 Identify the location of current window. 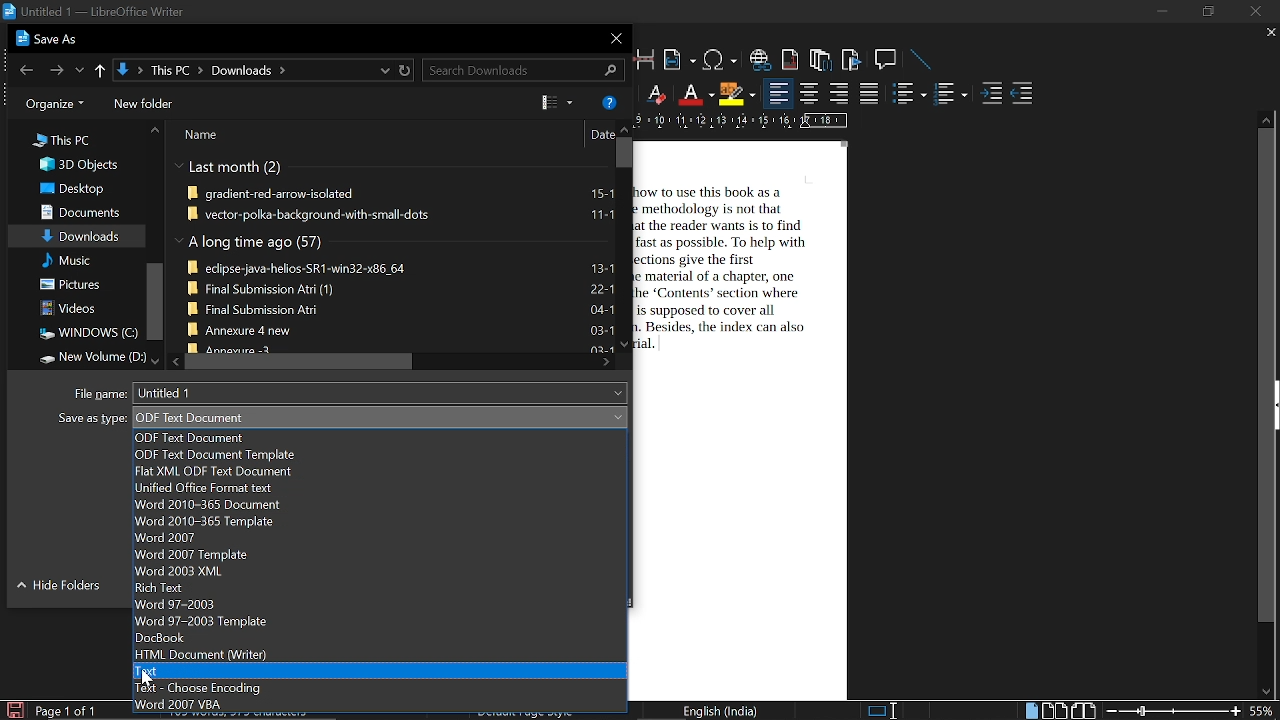
(50, 39).